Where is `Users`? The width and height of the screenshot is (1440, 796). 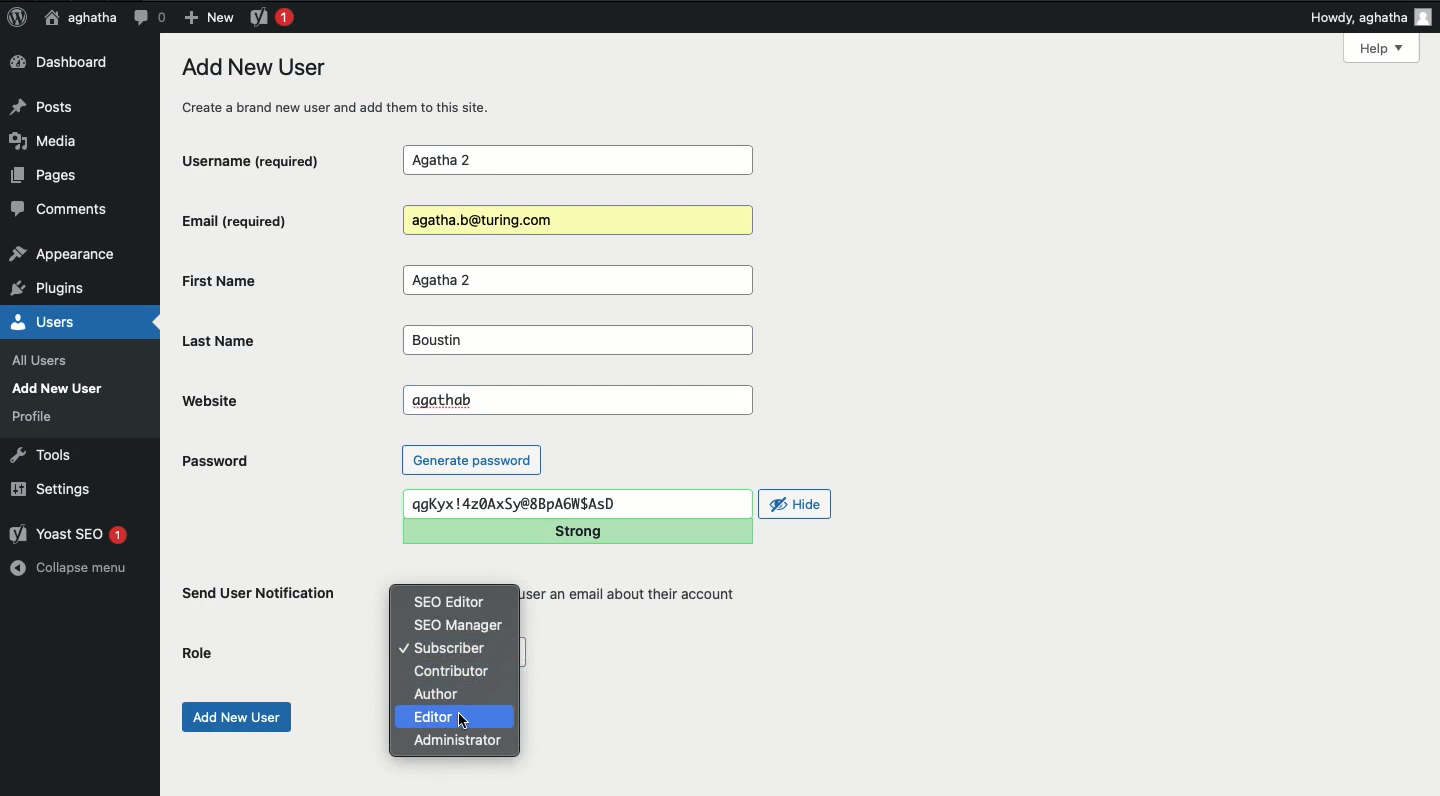
Users is located at coordinates (64, 322).